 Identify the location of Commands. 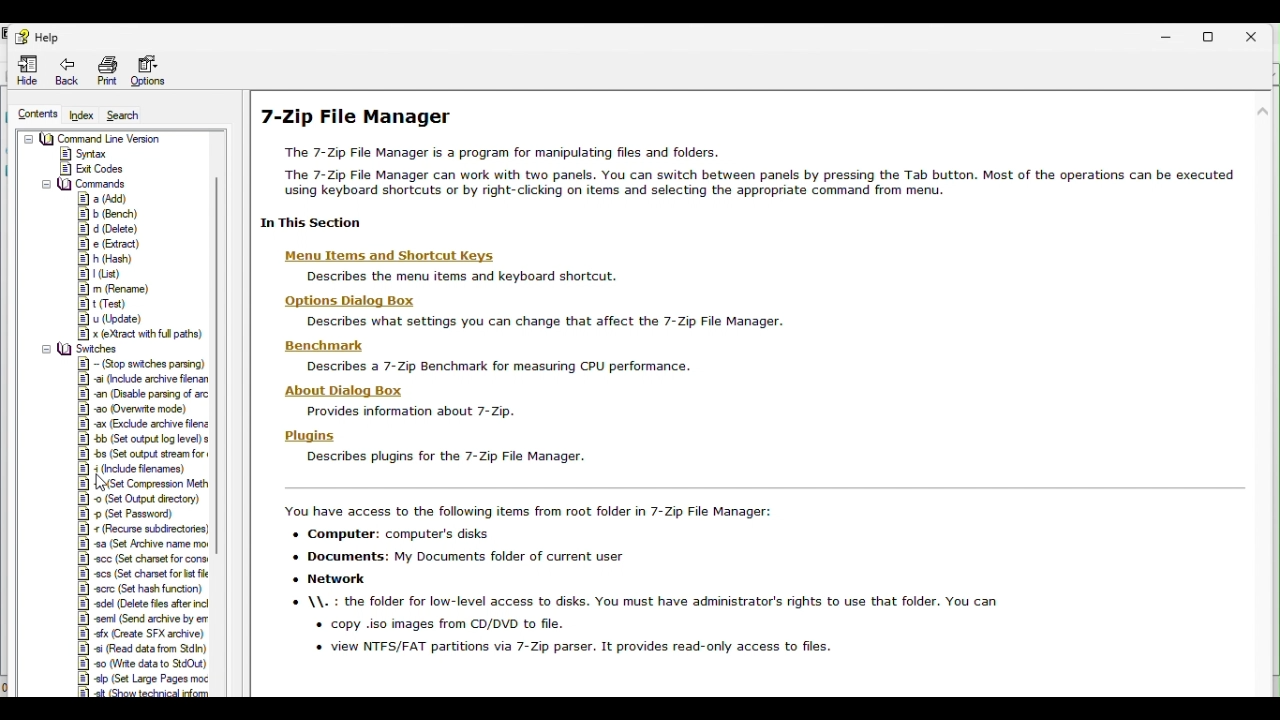
(85, 185).